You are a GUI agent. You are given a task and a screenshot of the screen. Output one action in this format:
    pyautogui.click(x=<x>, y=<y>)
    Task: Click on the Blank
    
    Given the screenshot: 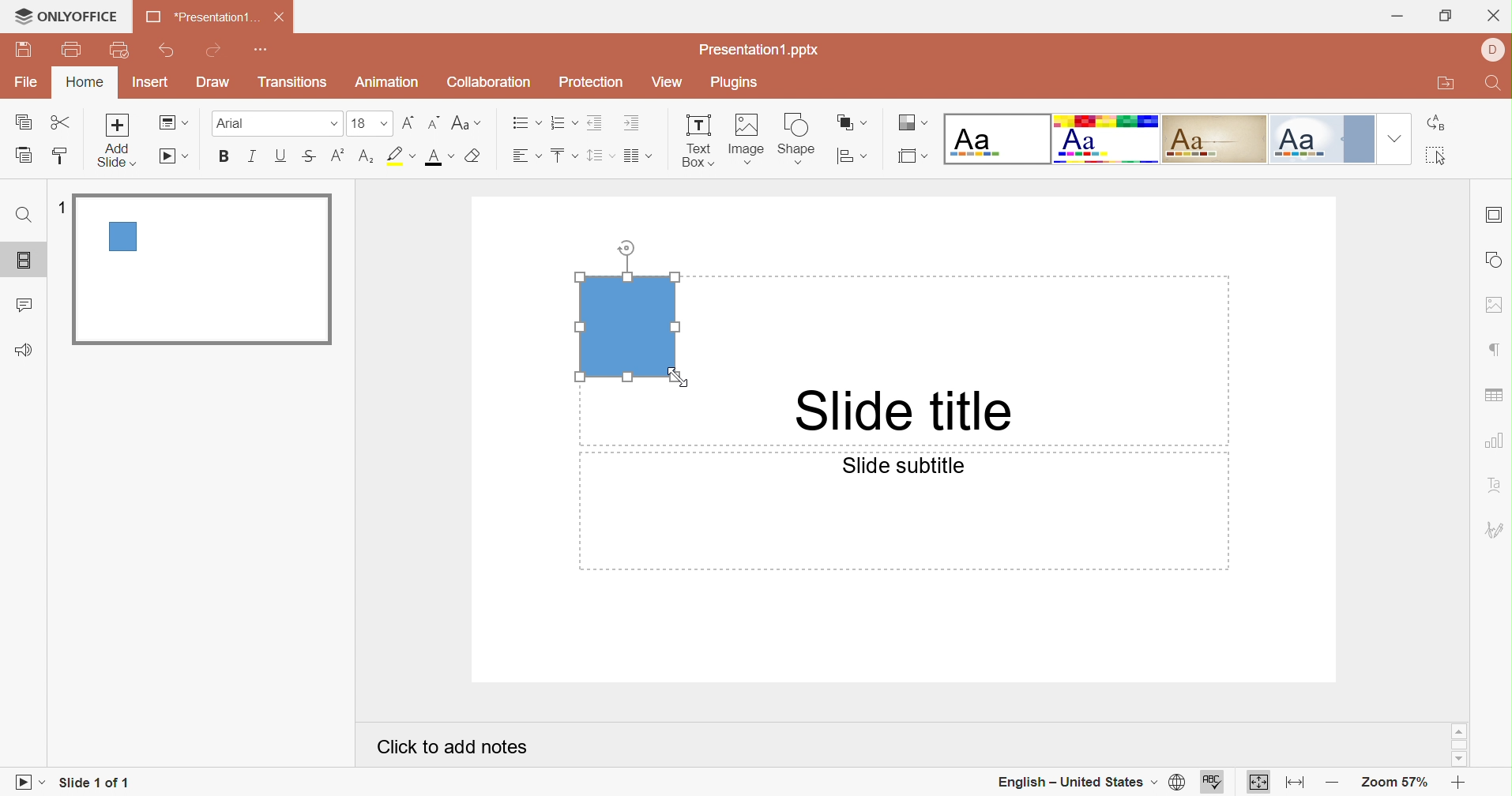 What is the action you would take?
    pyautogui.click(x=999, y=139)
    